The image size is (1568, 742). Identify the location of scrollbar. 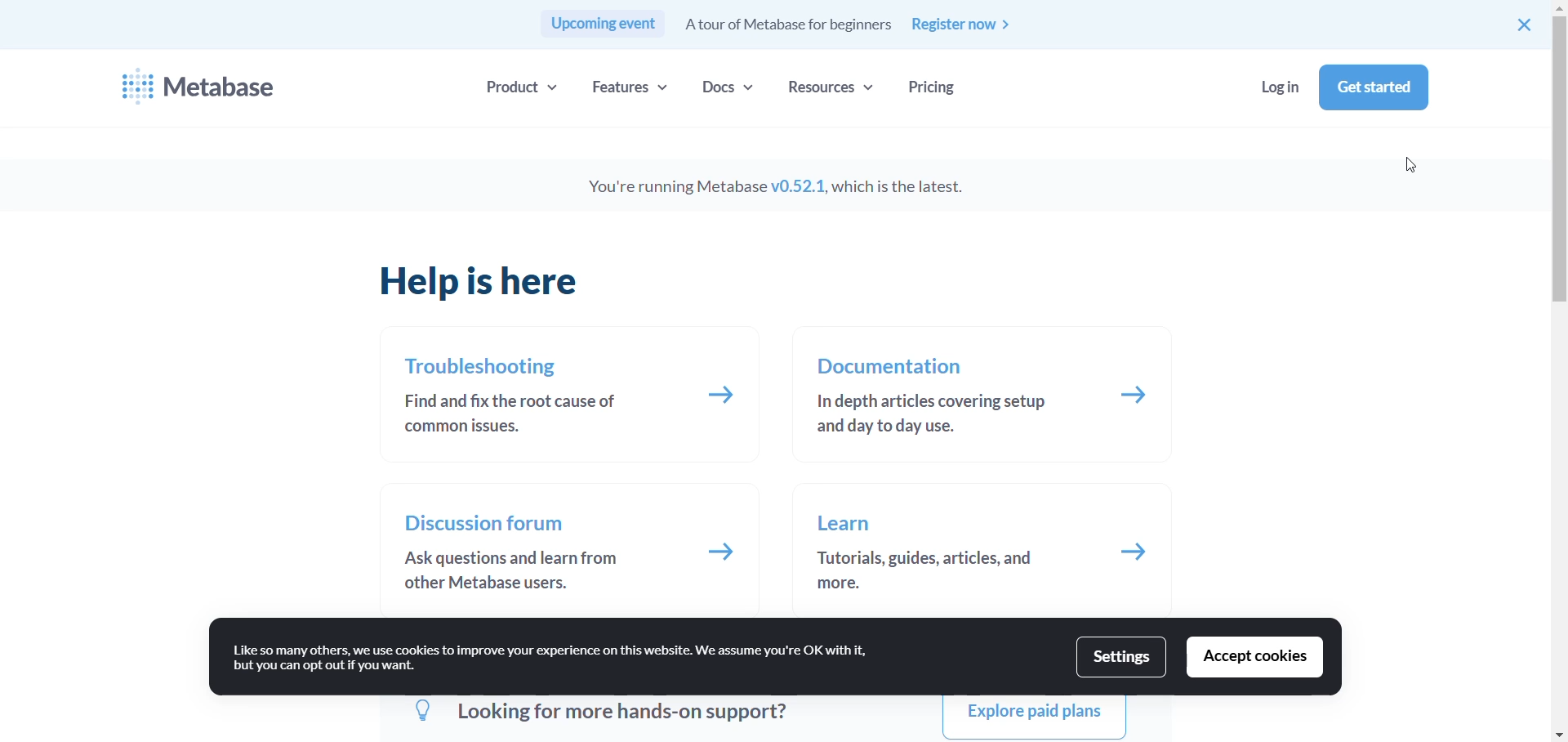
(1555, 175).